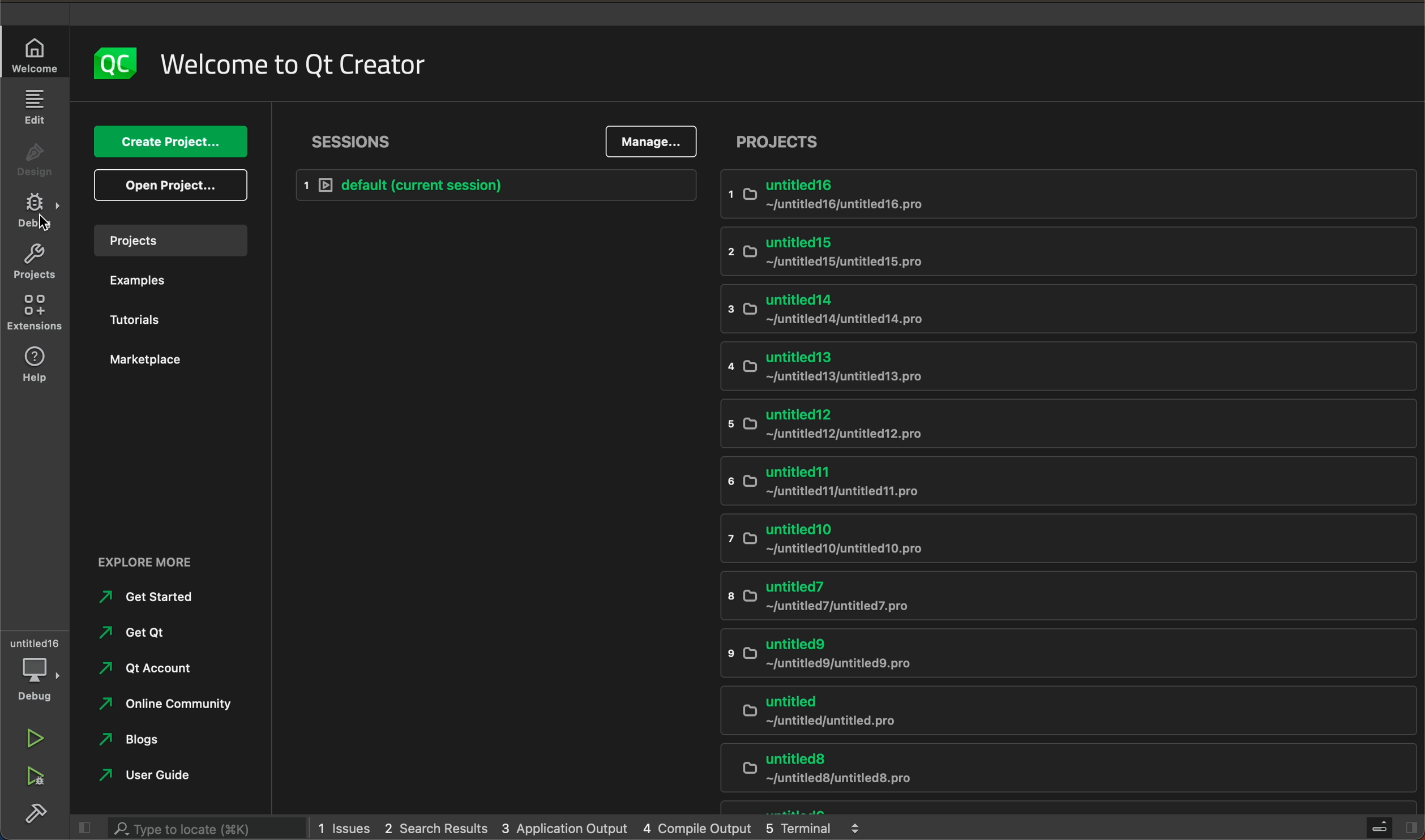 Image resolution: width=1425 pixels, height=840 pixels. What do you see at coordinates (152, 671) in the screenshot?
I see `account` at bounding box center [152, 671].